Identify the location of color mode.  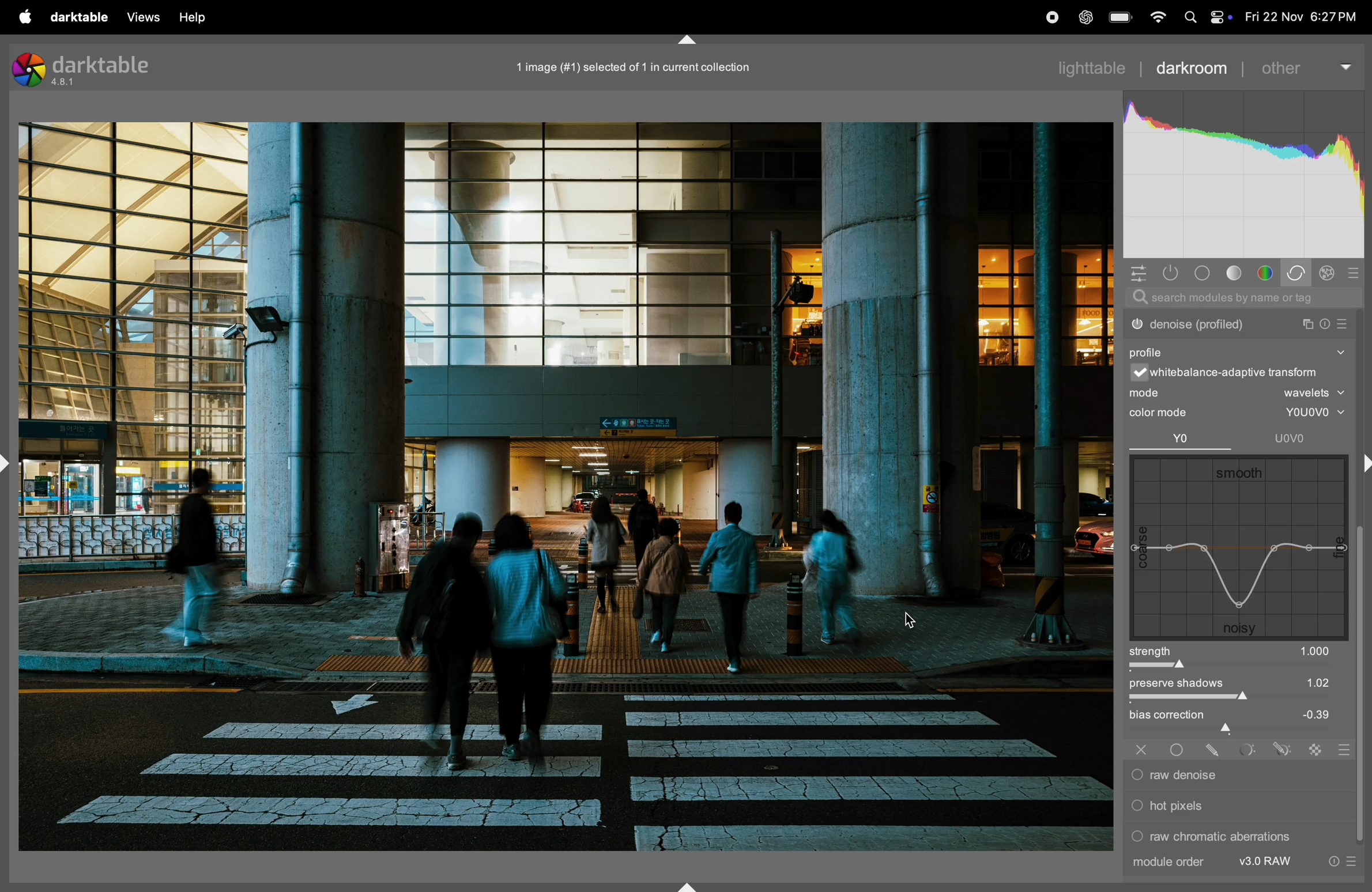
(1160, 415).